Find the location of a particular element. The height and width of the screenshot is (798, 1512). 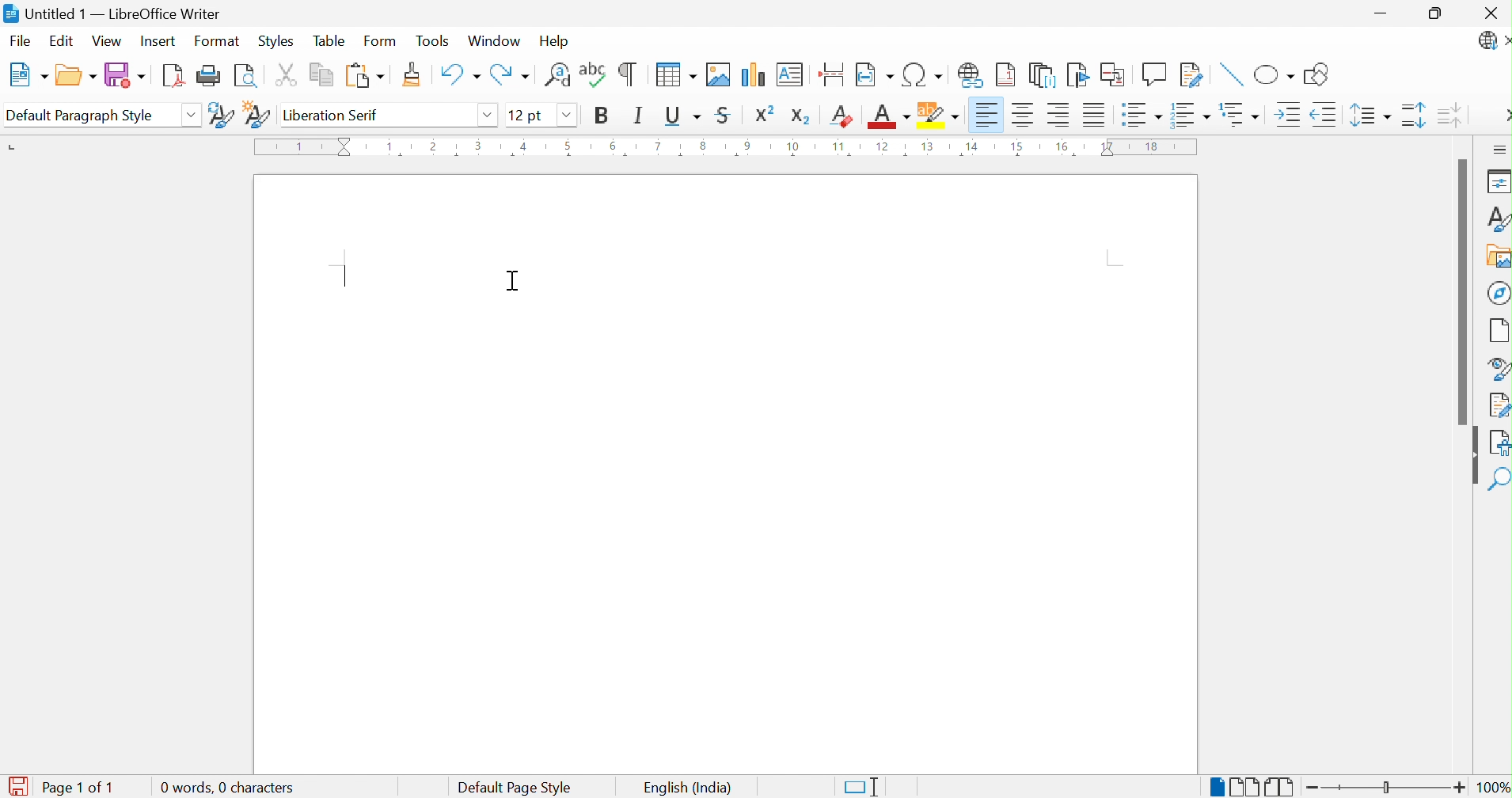

English (India) is located at coordinates (686, 787).